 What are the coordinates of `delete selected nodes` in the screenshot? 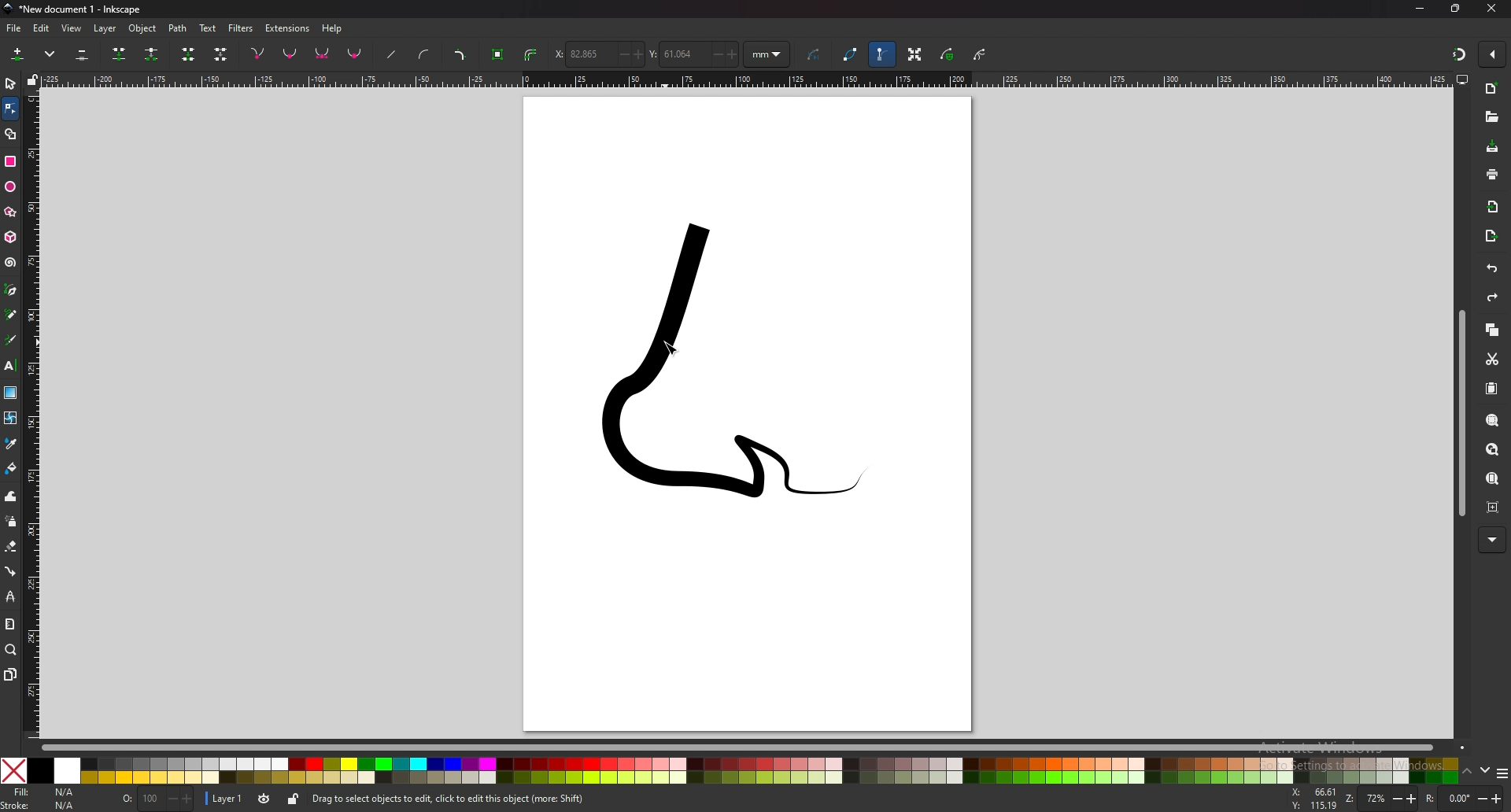 It's located at (81, 55).